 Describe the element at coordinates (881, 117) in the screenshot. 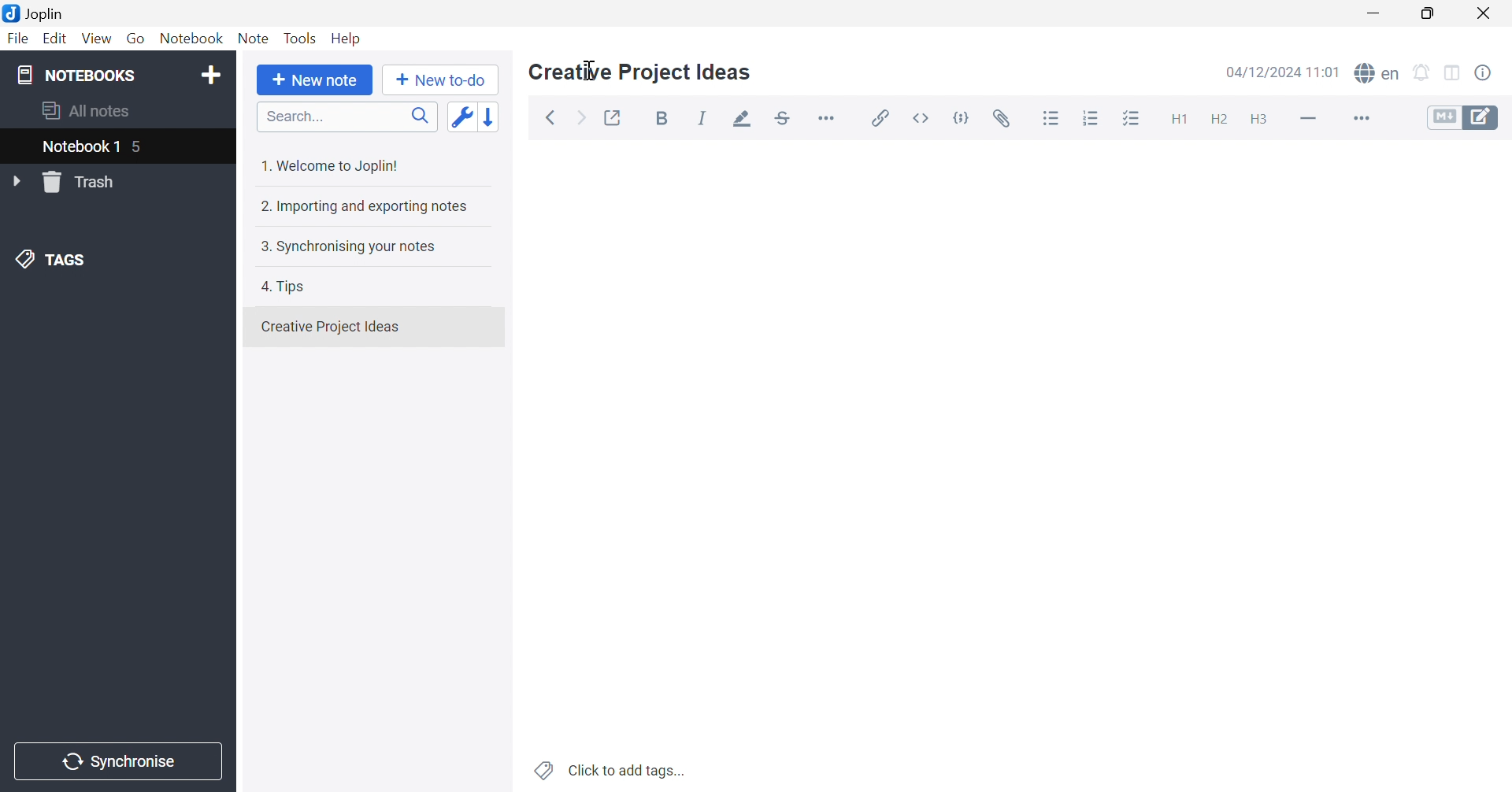

I see `Insert / edit link` at that location.